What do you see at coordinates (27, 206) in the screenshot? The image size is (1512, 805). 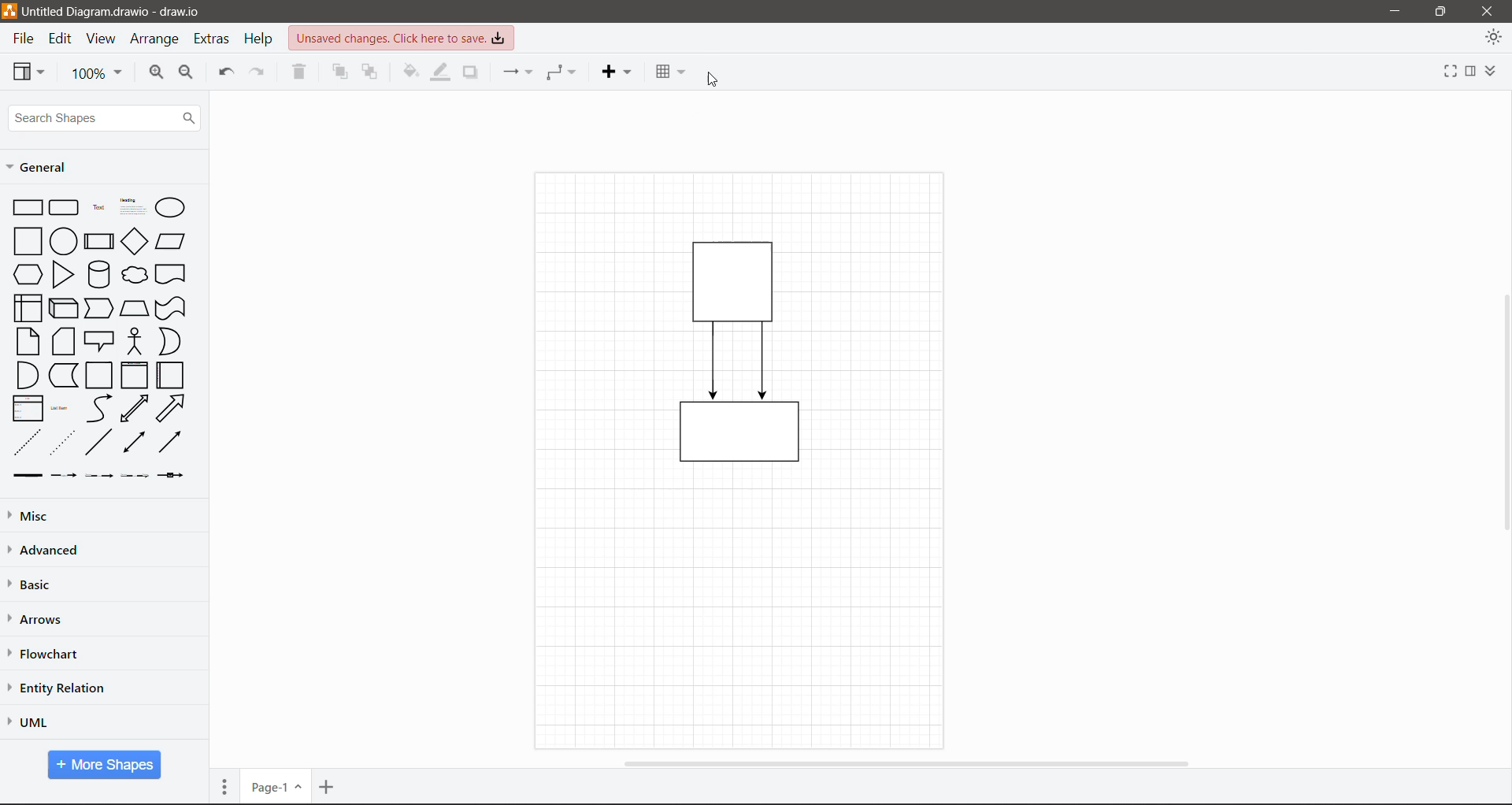 I see `Rectangle` at bounding box center [27, 206].